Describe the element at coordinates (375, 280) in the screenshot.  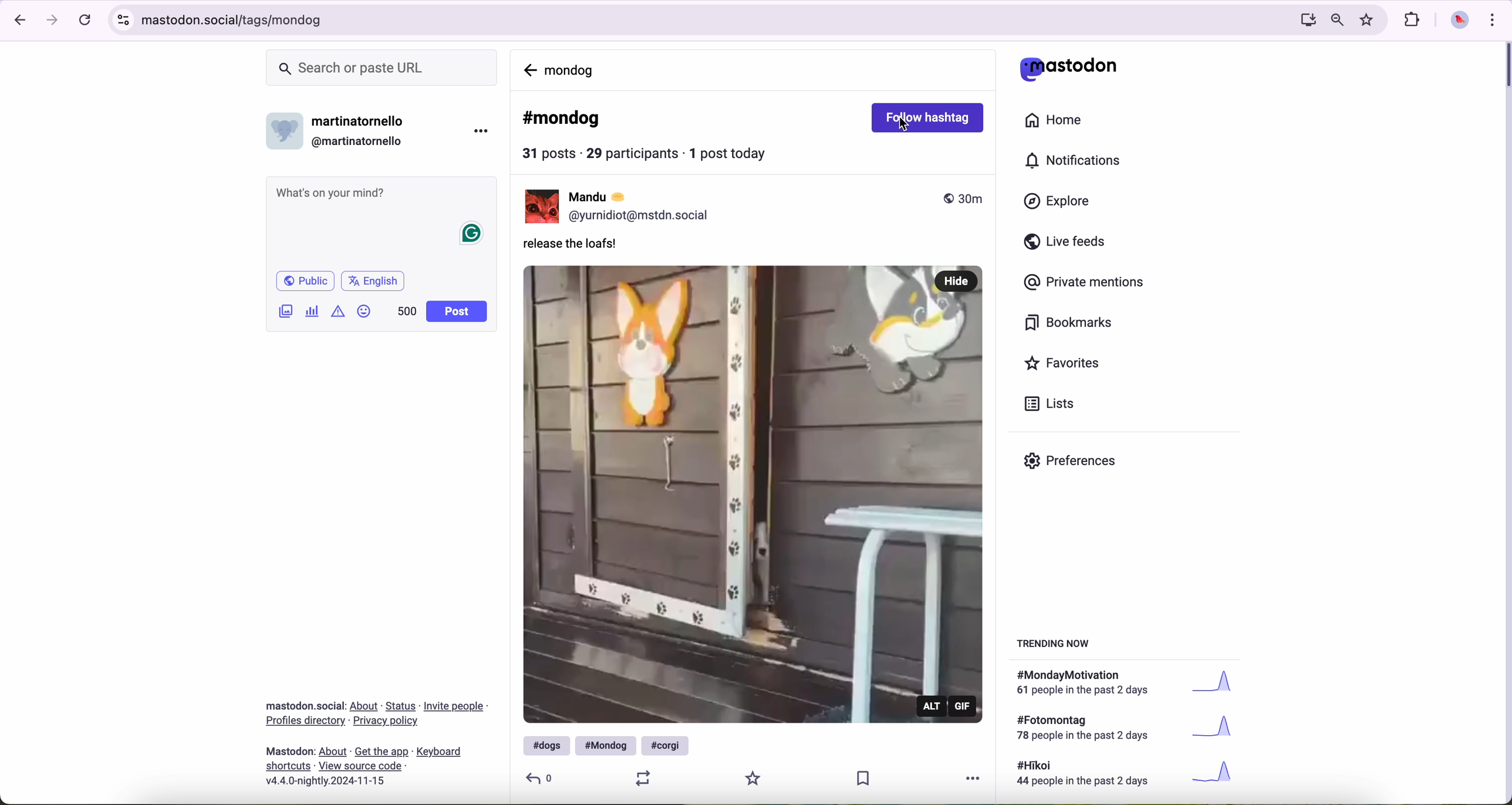
I see `english` at that location.